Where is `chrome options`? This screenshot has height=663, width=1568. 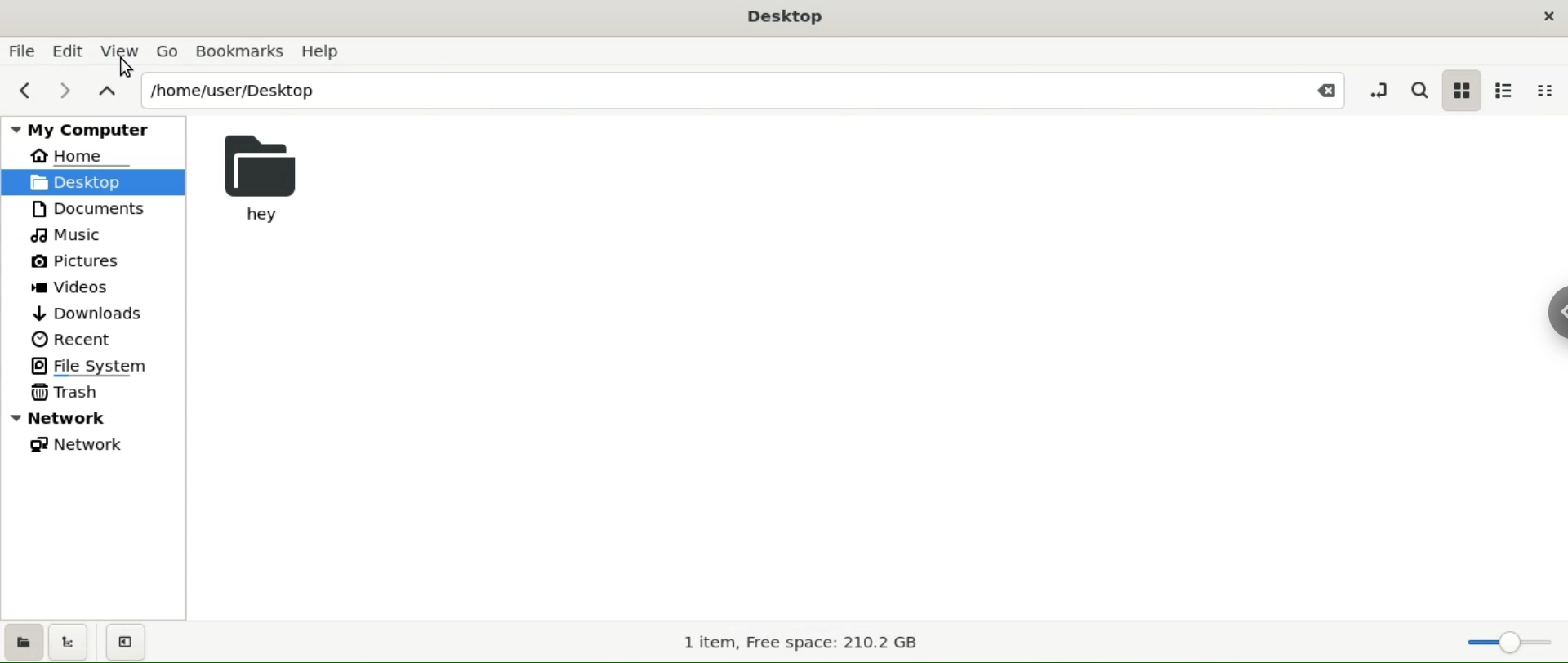 chrome options is located at coordinates (1552, 318).